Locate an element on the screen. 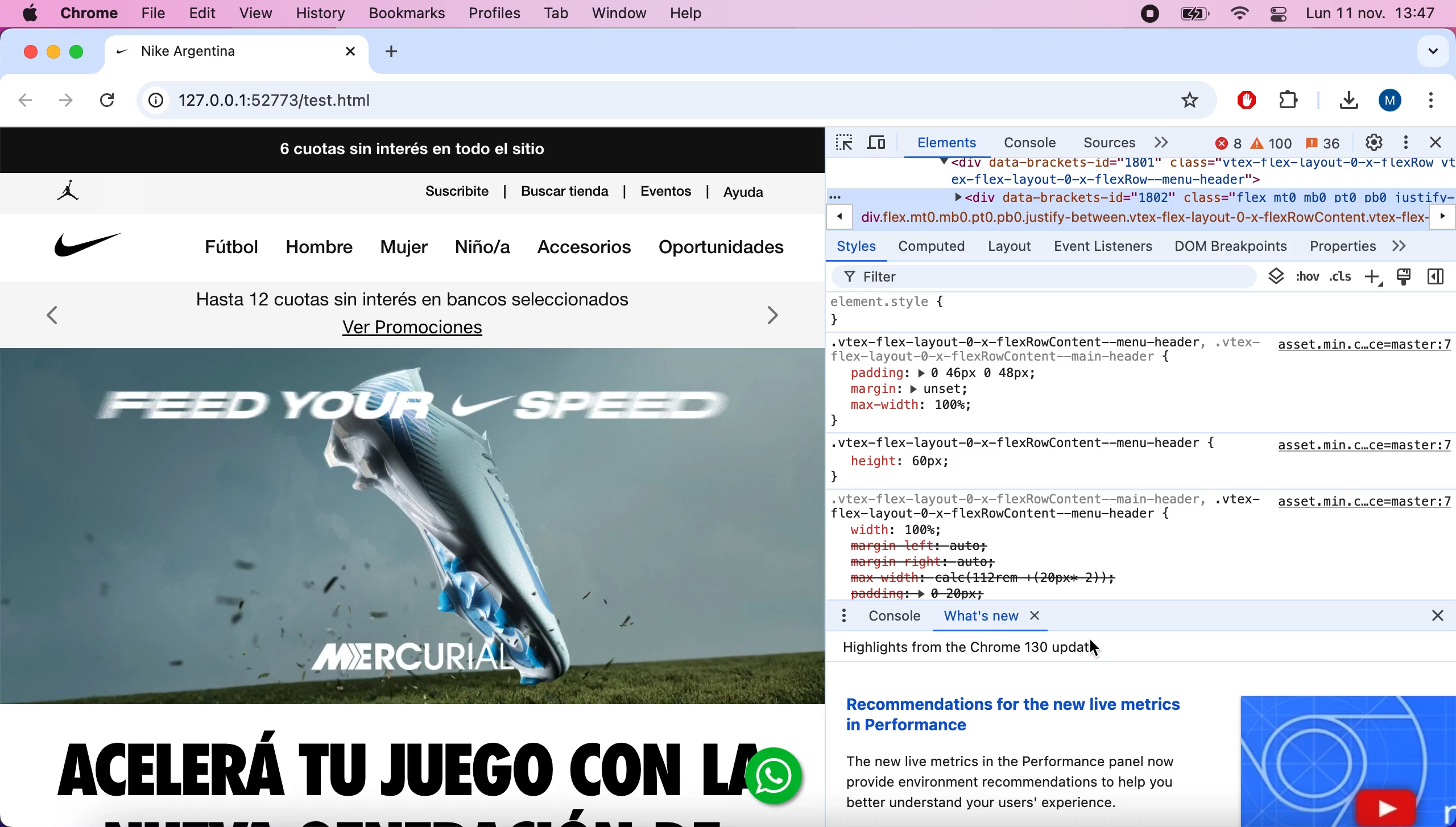  show cls is located at coordinates (1321, 275).